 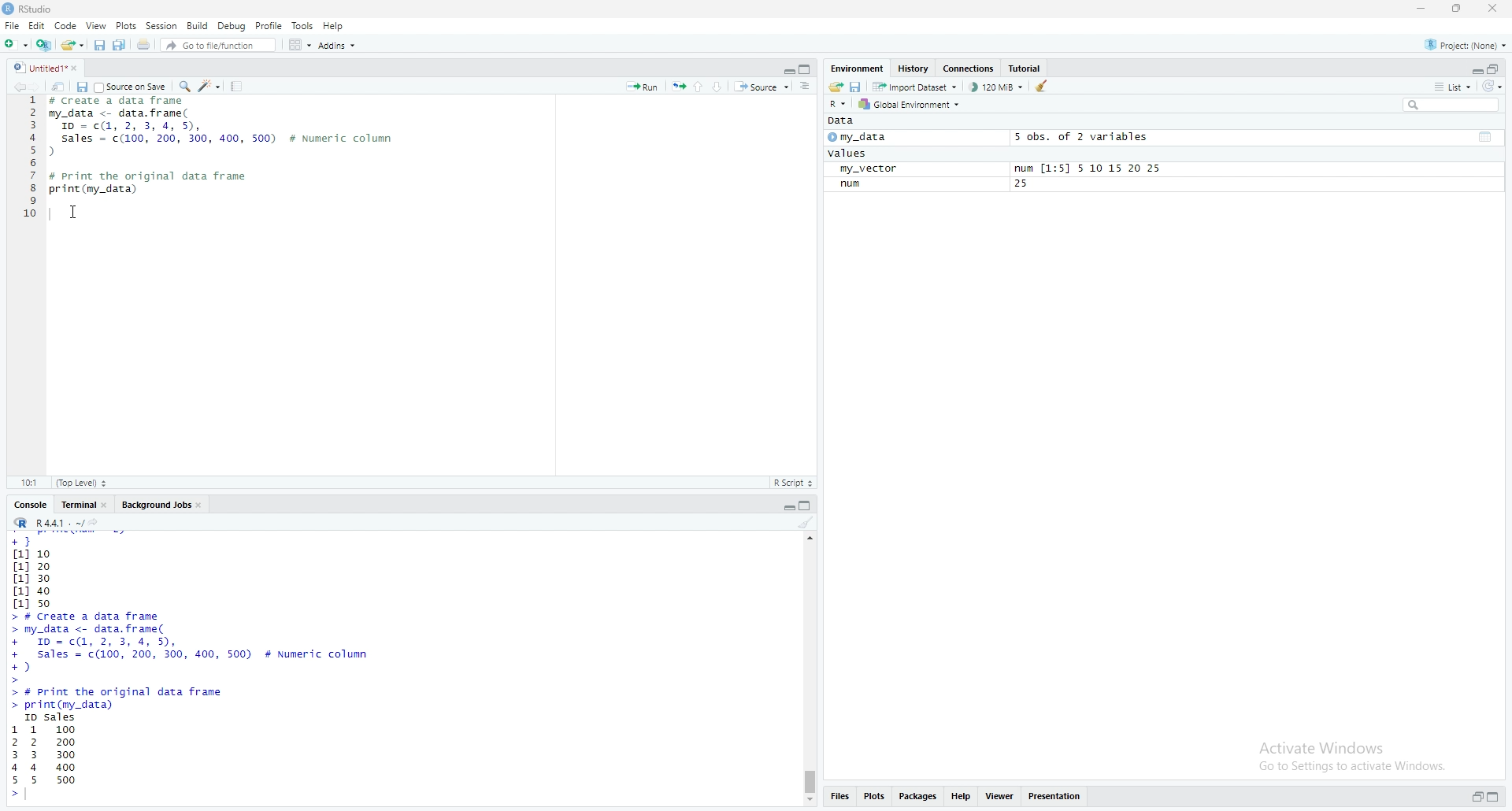 I want to click on print(My_data), so click(x=94, y=190).